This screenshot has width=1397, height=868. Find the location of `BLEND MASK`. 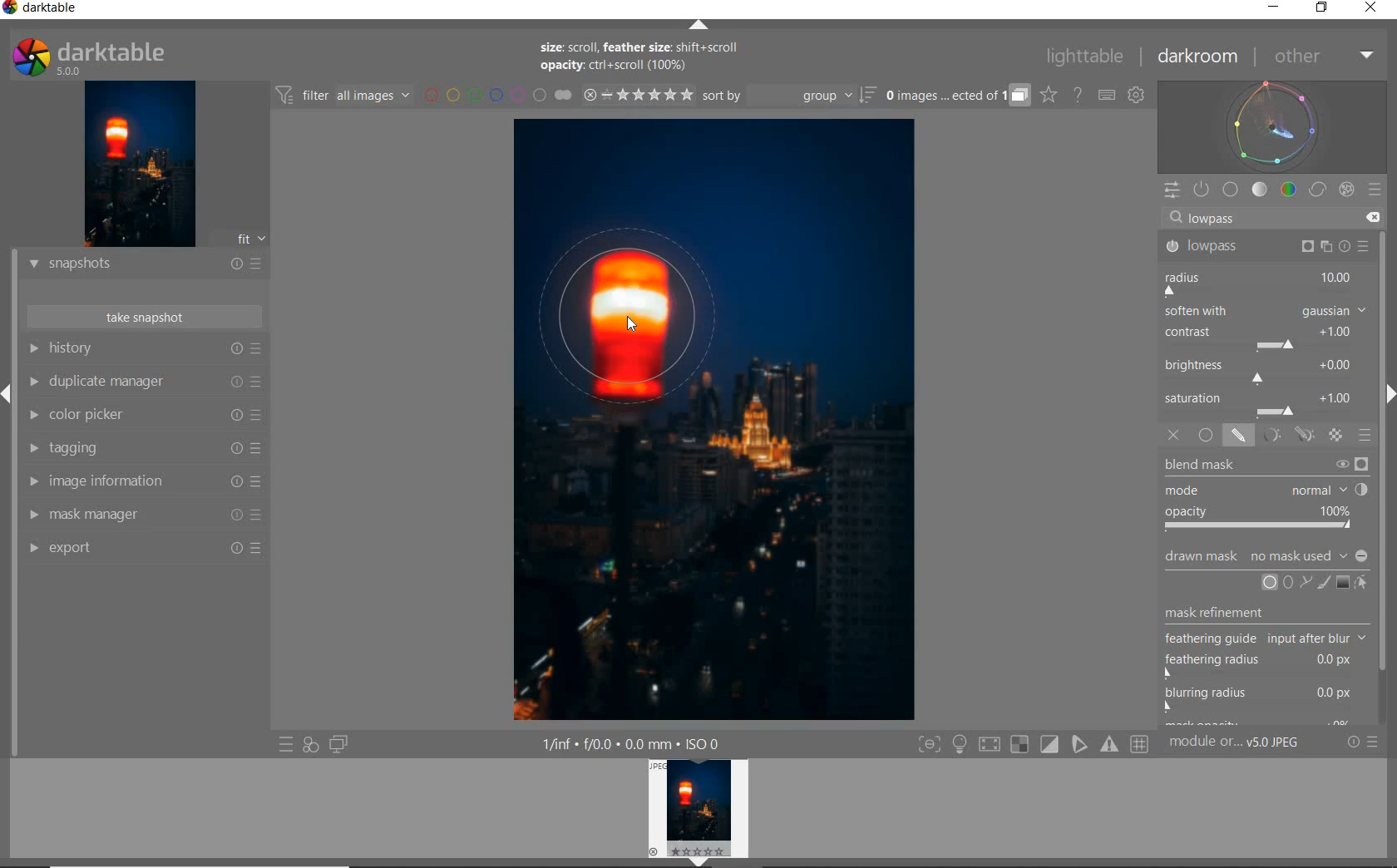

BLEND MASK is located at coordinates (1266, 494).